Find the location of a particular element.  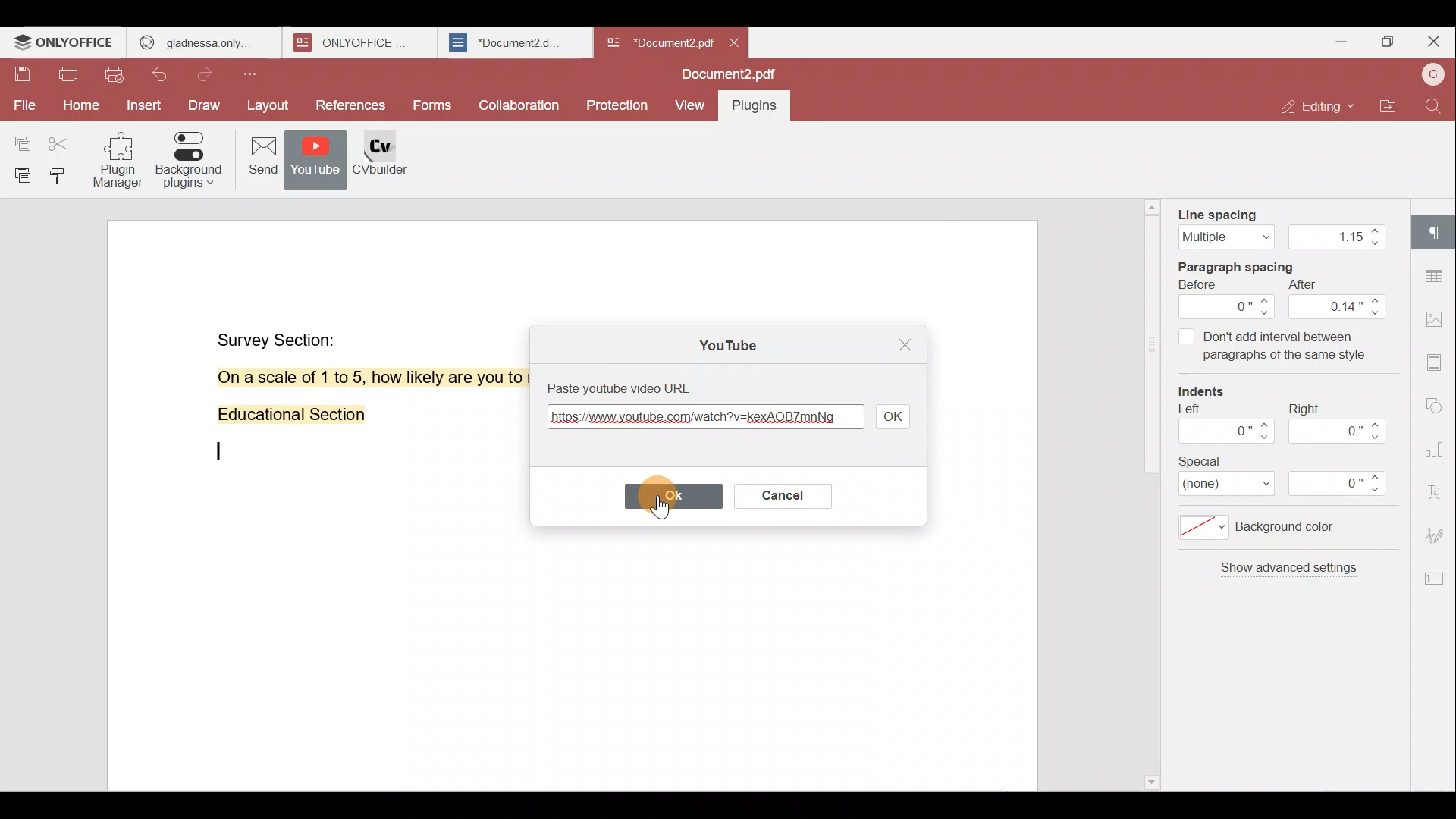

File is located at coordinates (23, 105).